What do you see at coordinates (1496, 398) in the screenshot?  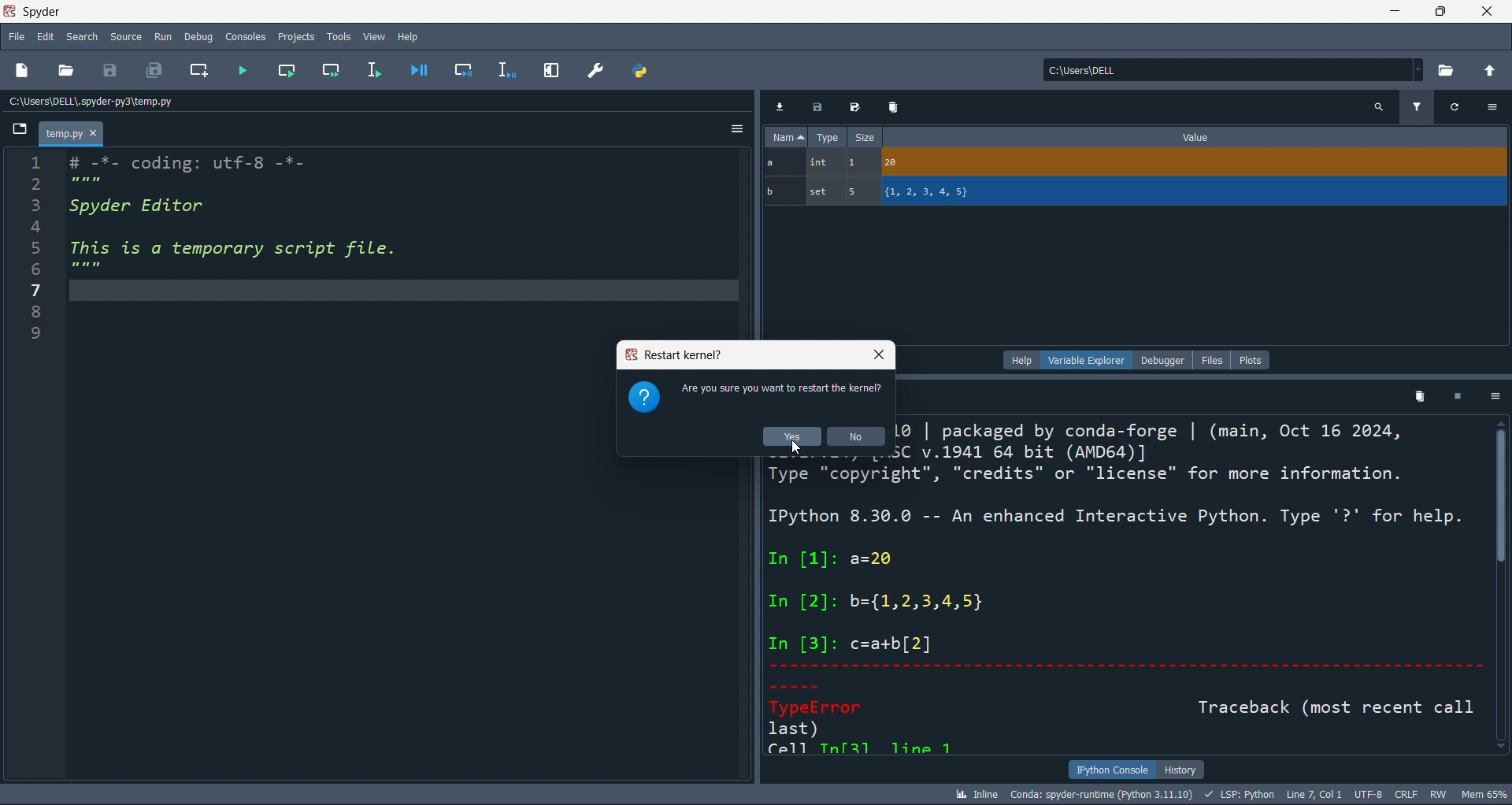 I see `more options` at bounding box center [1496, 398].